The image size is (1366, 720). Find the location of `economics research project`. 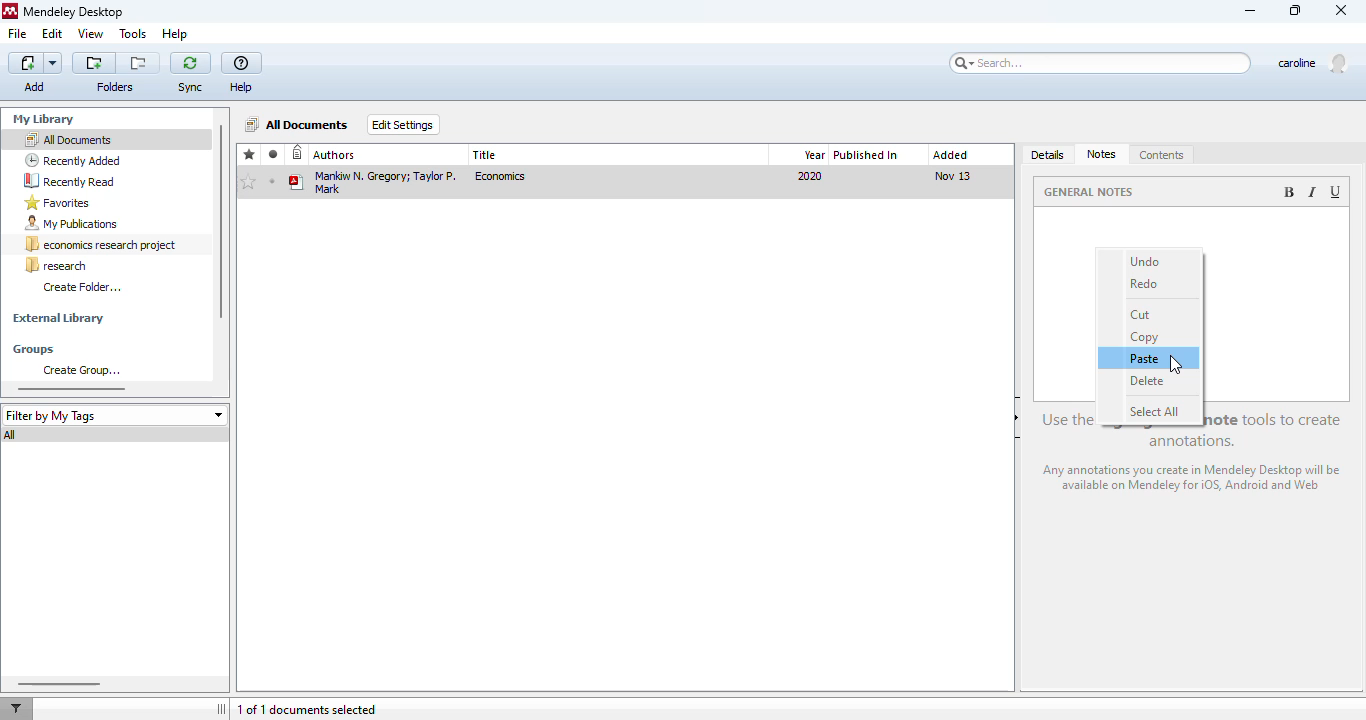

economics research project is located at coordinates (102, 245).